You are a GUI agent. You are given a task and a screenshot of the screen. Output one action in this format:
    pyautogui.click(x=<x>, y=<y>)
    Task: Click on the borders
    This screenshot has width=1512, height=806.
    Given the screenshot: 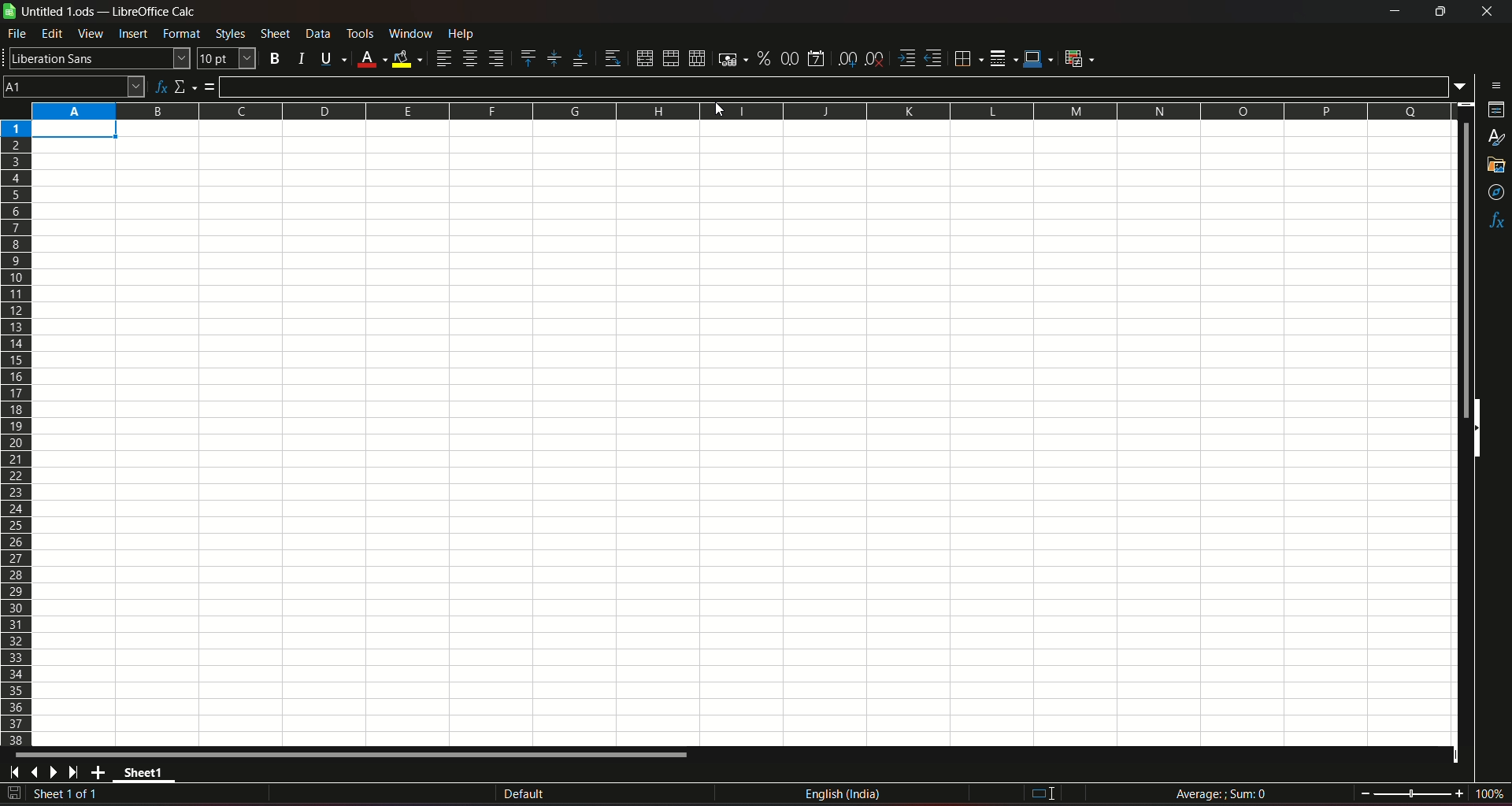 What is the action you would take?
    pyautogui.click(x=968, y=59)
    